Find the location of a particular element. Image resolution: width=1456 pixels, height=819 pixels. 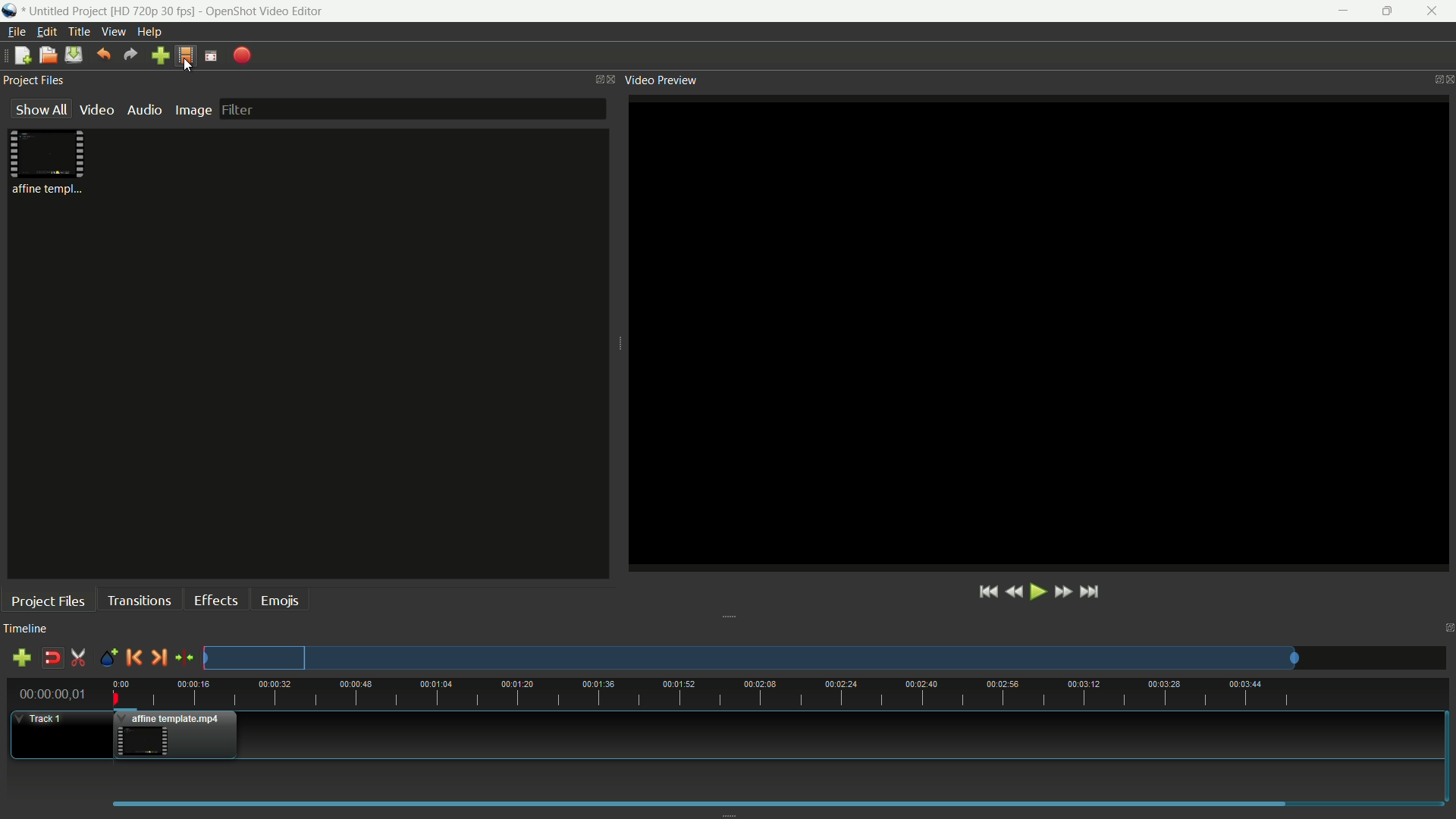

next marker is located at coordinates (159, 657).